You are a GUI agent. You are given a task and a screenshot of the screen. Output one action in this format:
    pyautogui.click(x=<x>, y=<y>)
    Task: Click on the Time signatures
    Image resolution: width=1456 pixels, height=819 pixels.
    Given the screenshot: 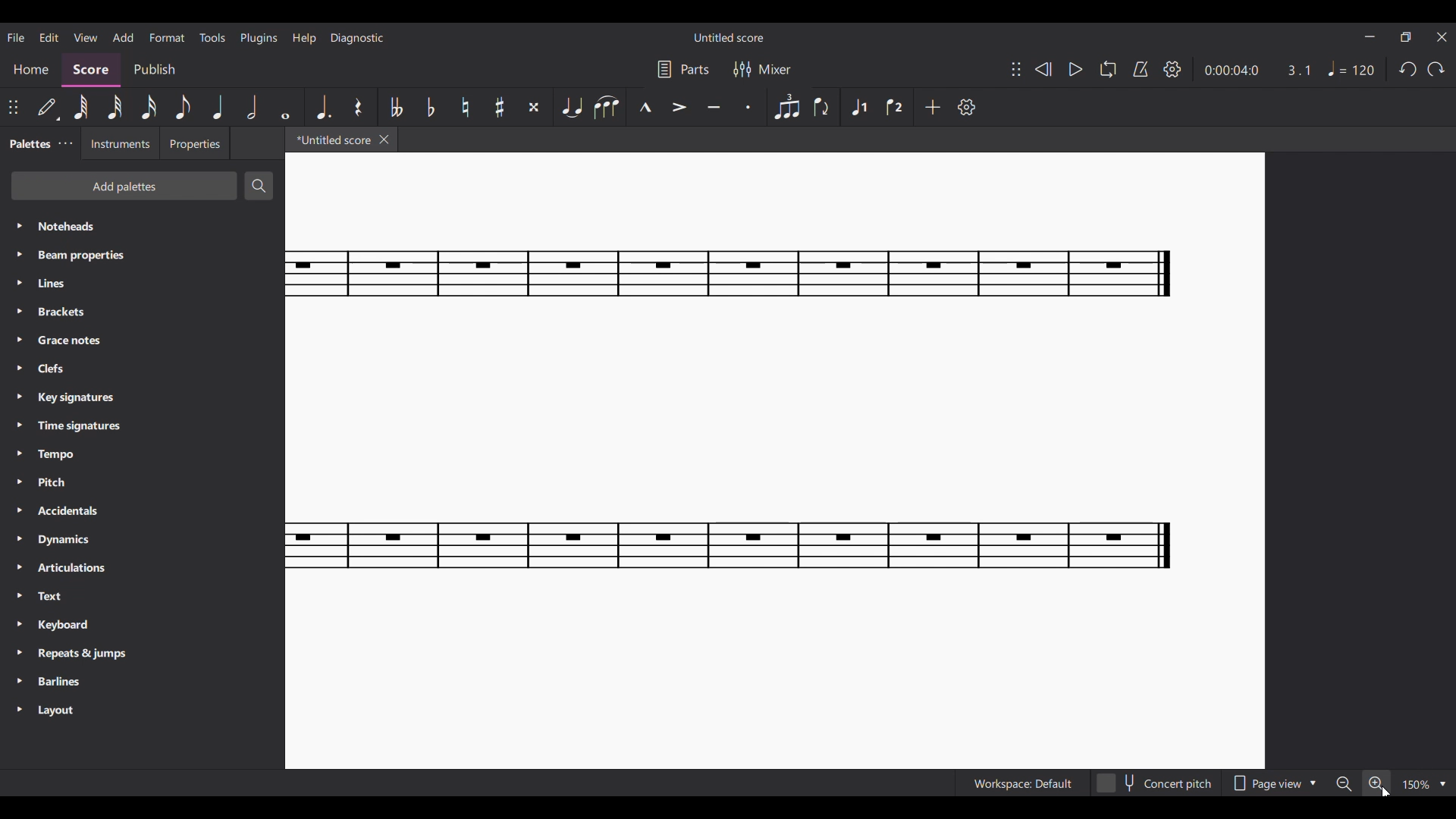 What is the action you would take?
    pyautogui.click(x=142, y=426)
    